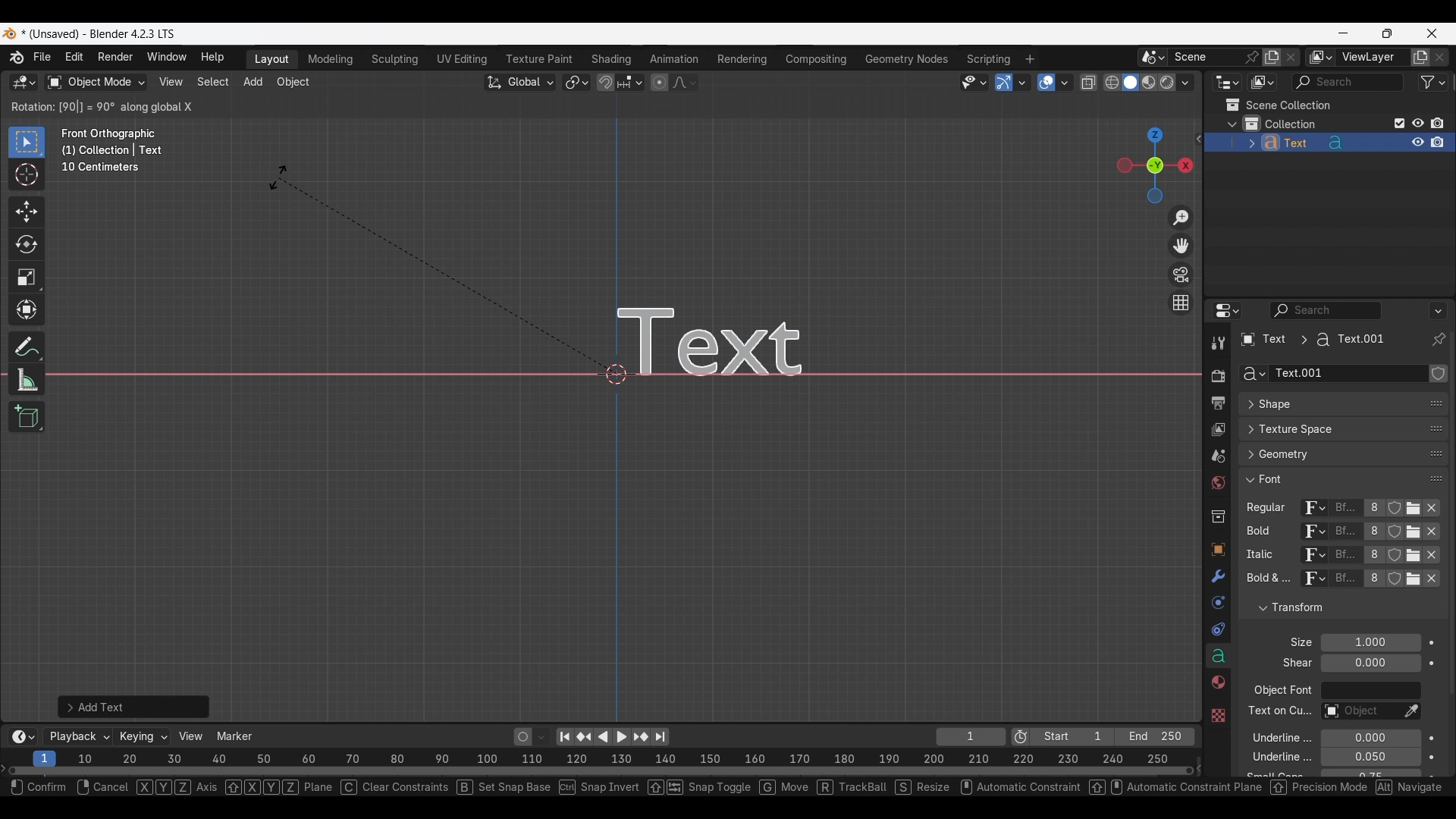 This screenshot has height=819, width=1456. I want to click on Overlays, so click(1064, 83).